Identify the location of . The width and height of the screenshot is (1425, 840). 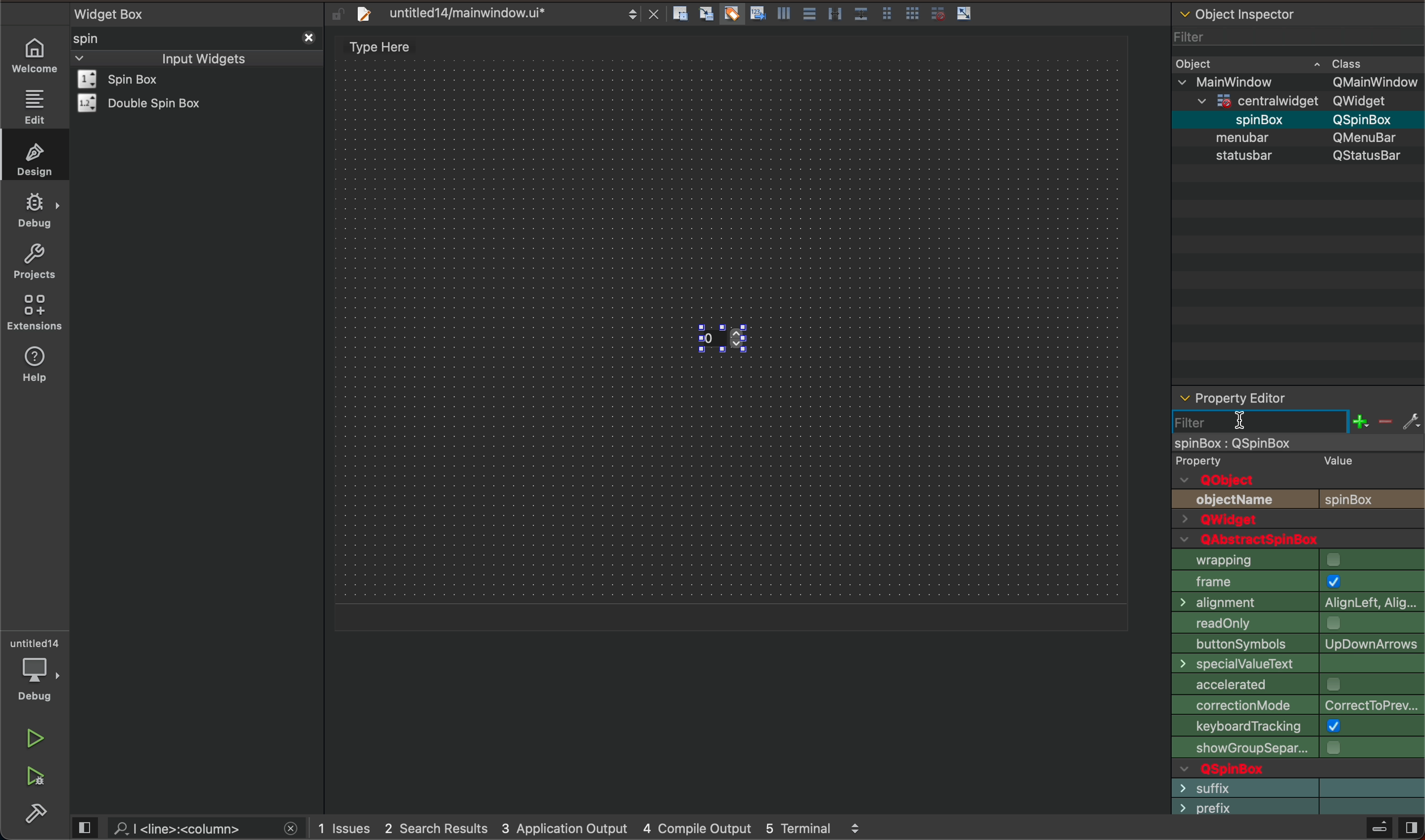
(1369, 101).